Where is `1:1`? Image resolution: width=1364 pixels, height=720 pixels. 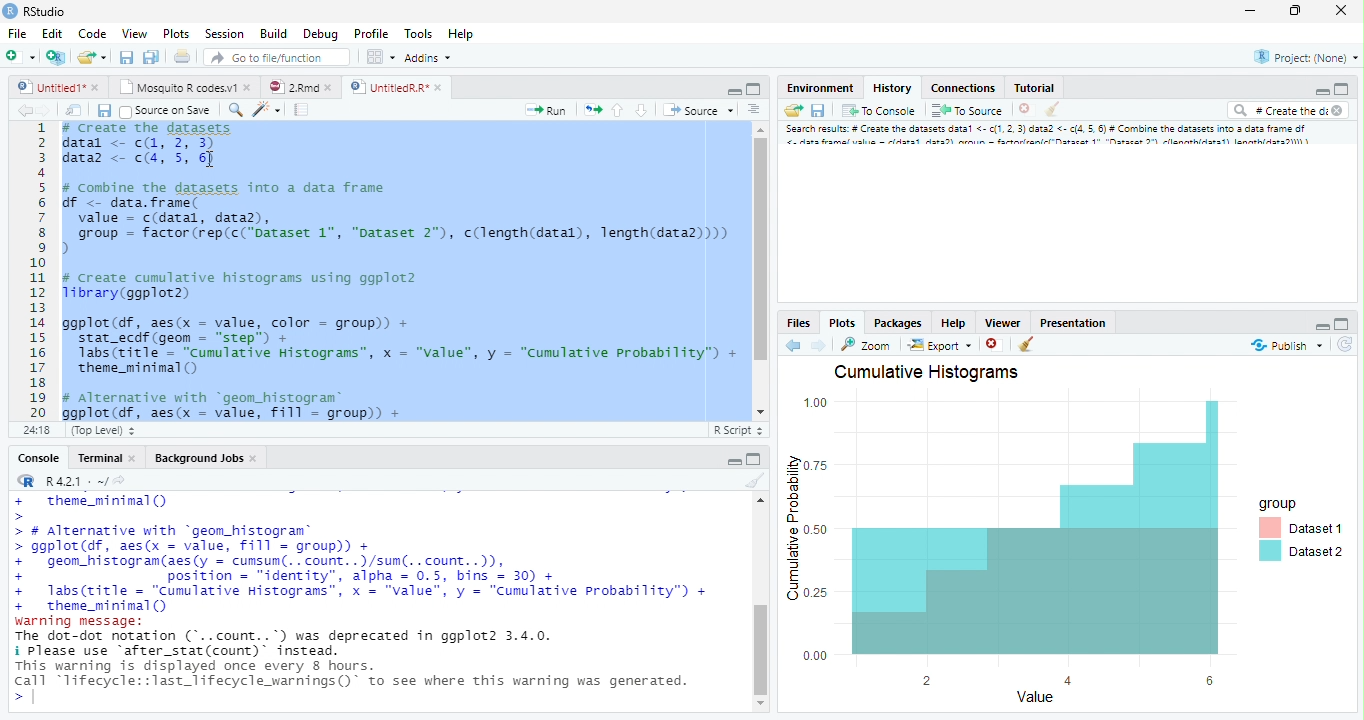 1:1 is located at coordinates (41, 430).